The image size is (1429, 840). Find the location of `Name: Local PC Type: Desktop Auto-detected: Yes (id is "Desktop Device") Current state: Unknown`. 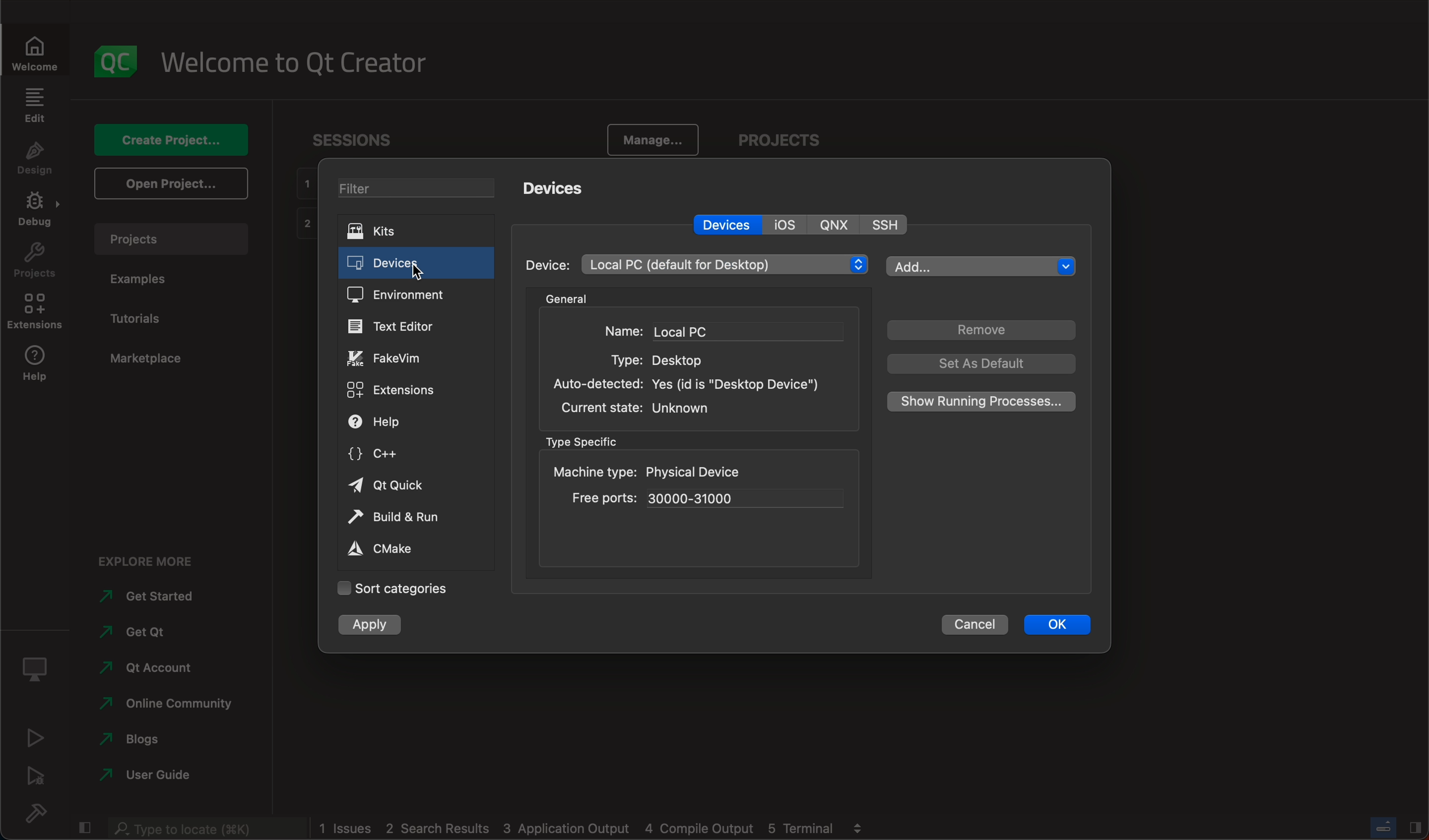

Name: Local PC Type: Desktop Auto-detected: Yes (id is "Desktop Device") Current state: Unknown is located at coordinates (693, 371).